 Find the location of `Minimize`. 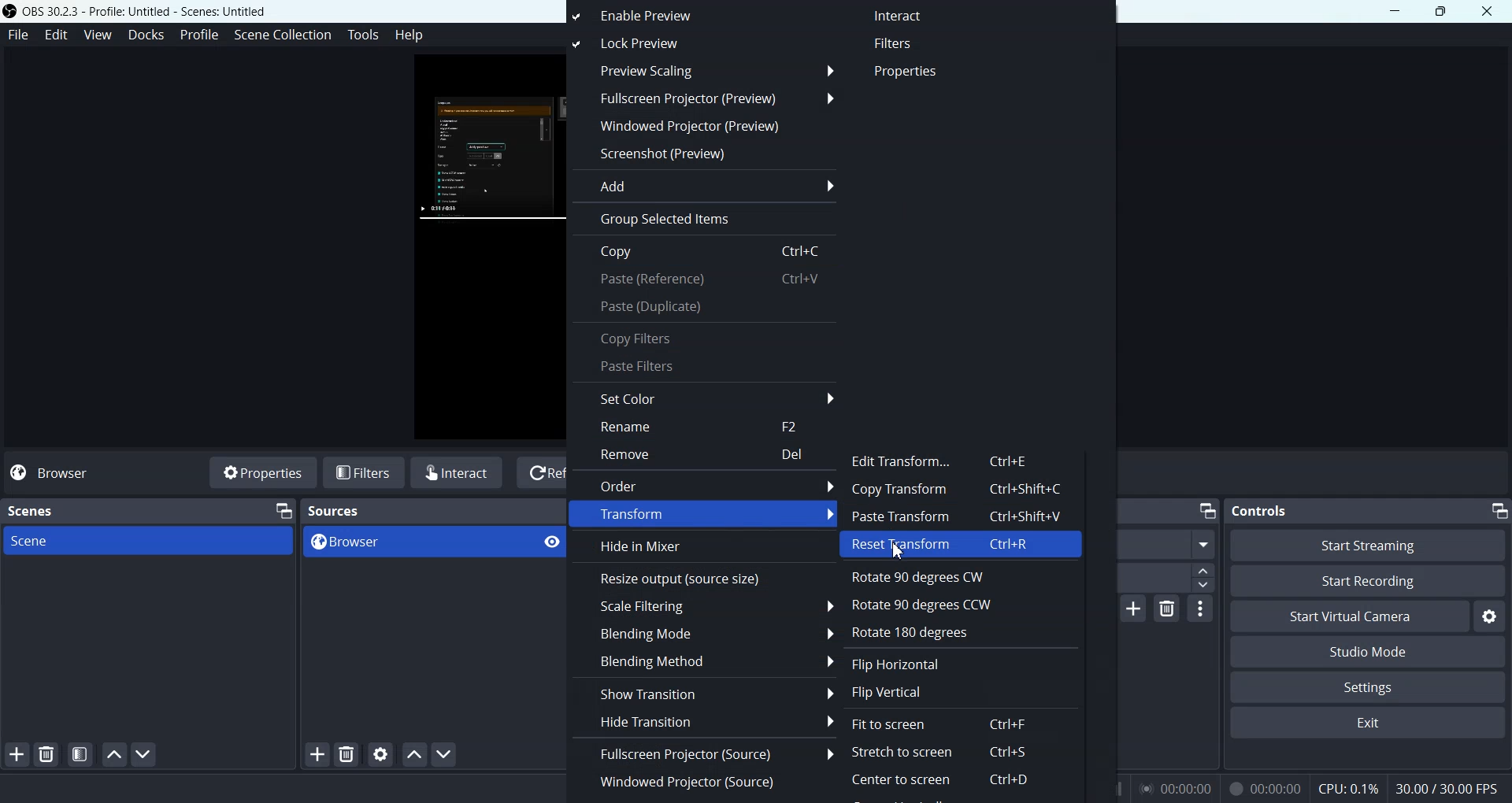

Minimize is located at coordinates (281, 510).